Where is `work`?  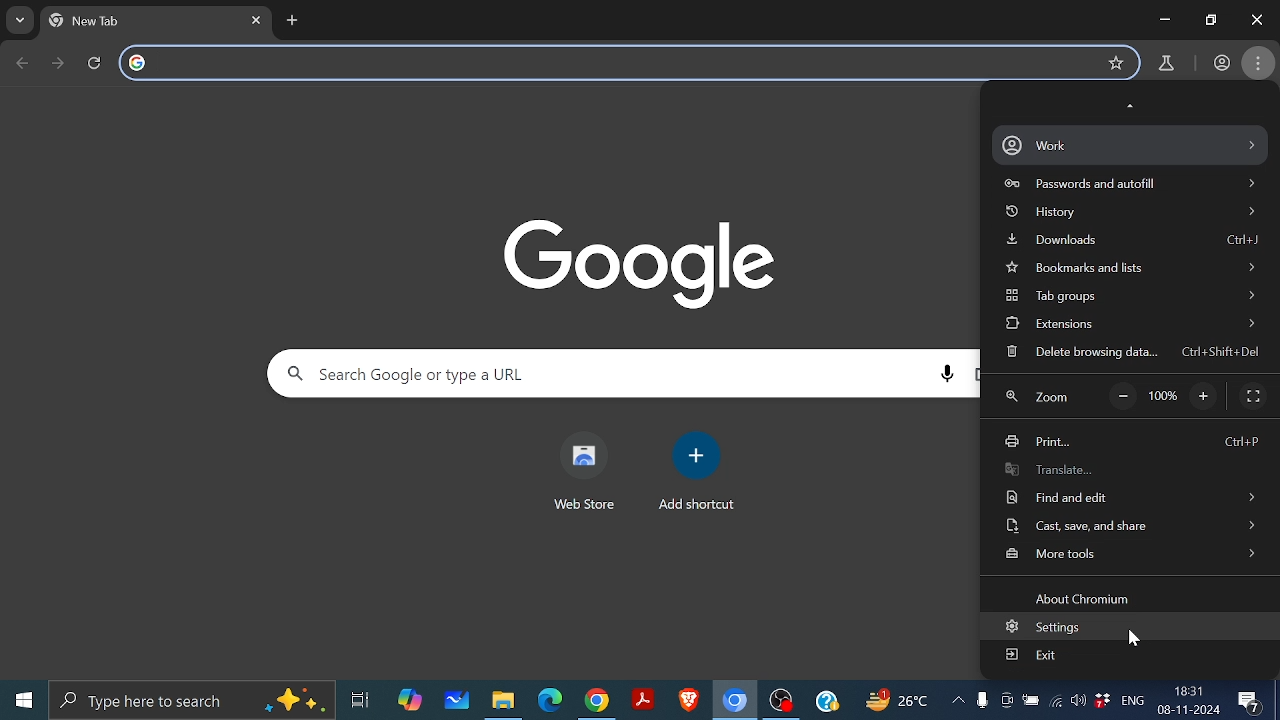
work is located at coordinates (1127, 145).